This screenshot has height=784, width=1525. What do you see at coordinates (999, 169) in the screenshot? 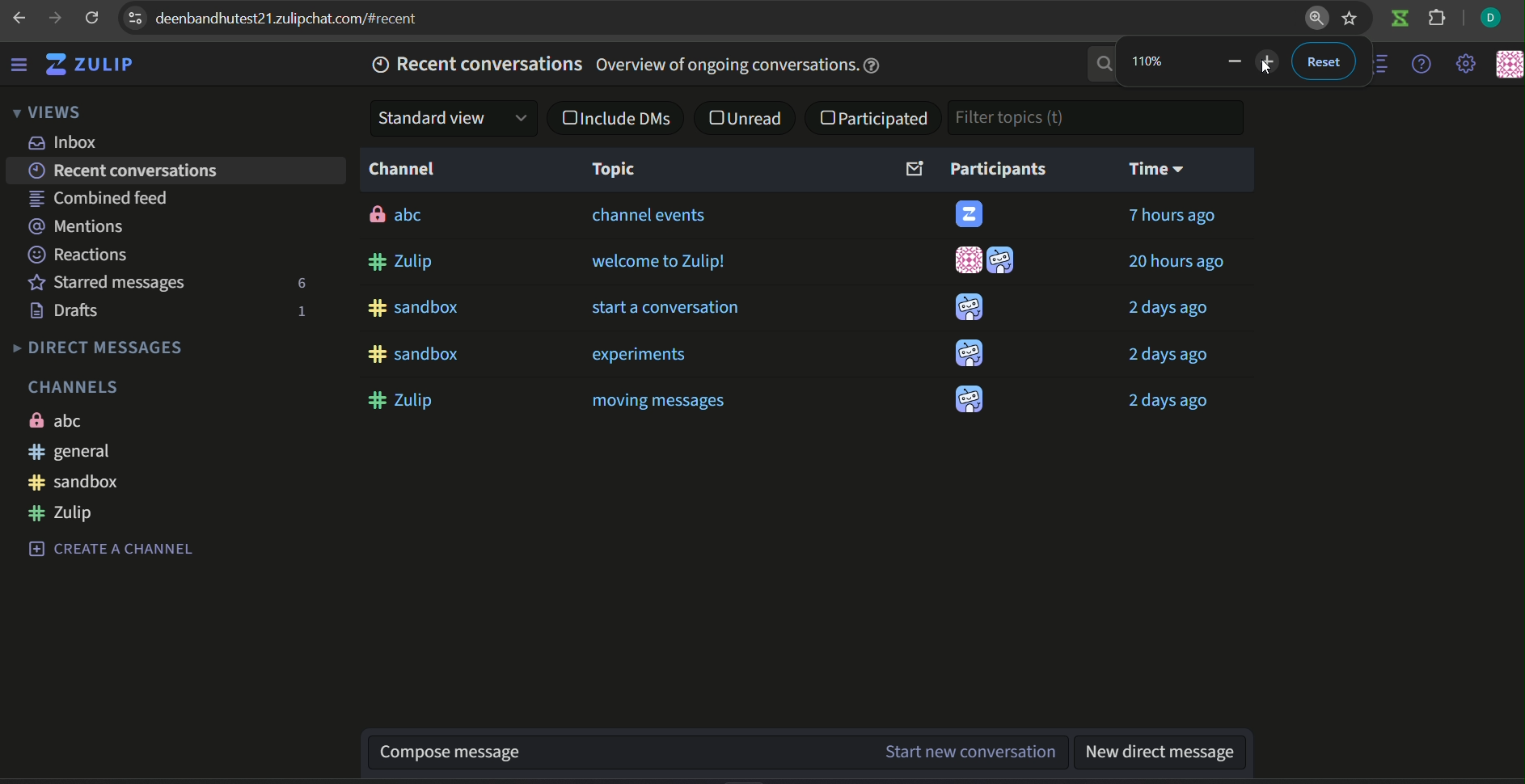
I see `participants` at bounding box center [999, 169].